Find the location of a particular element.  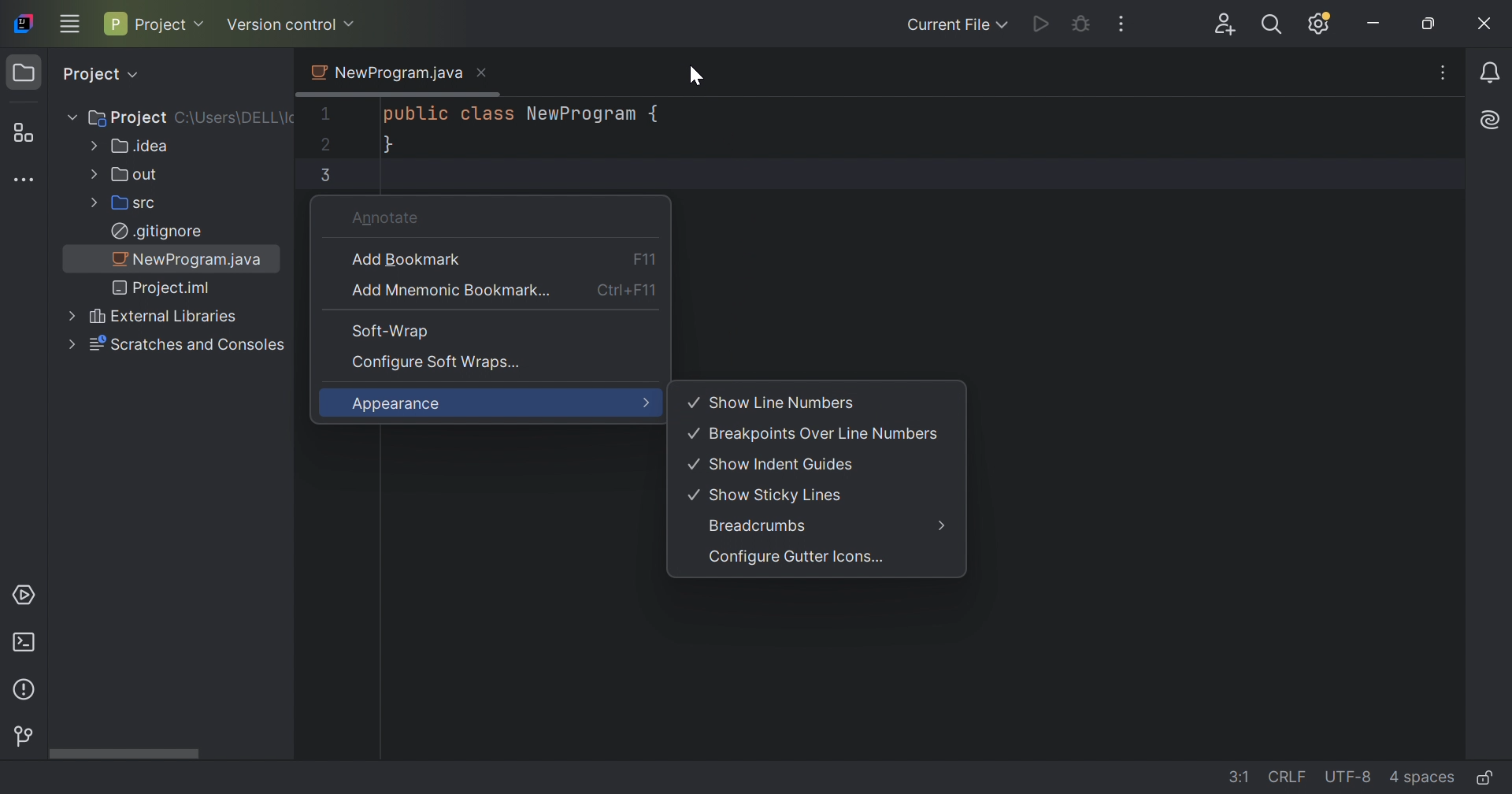

1 is located at coordinates (327, 112).